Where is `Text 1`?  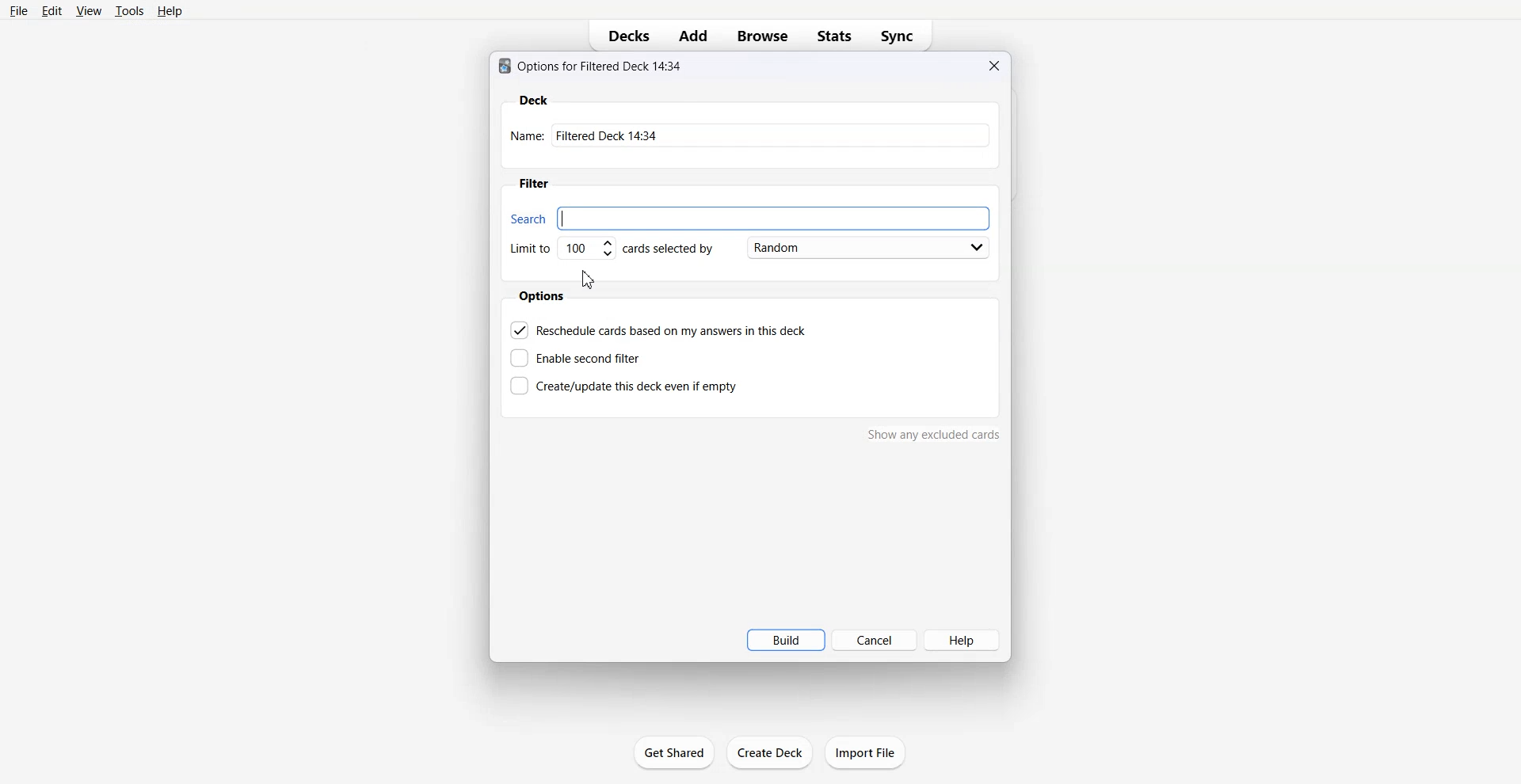
Text 1 is located at coordinates (590, 67).